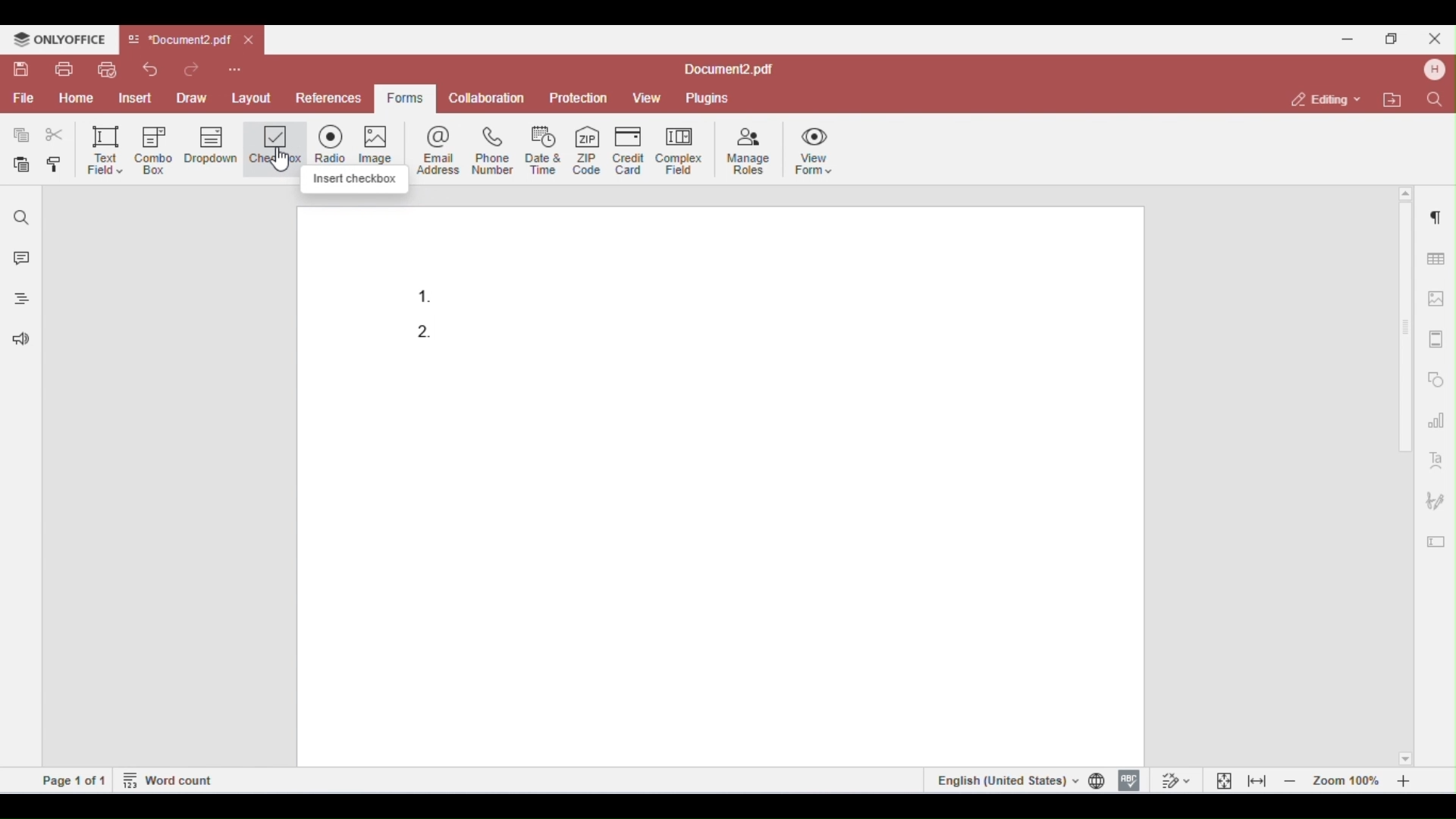 Image resolution: width=1456 pixels, height=819 pixels. Describe the element at coordinates (1435, 501) in the screenshot. I see `signature settings` at that location.